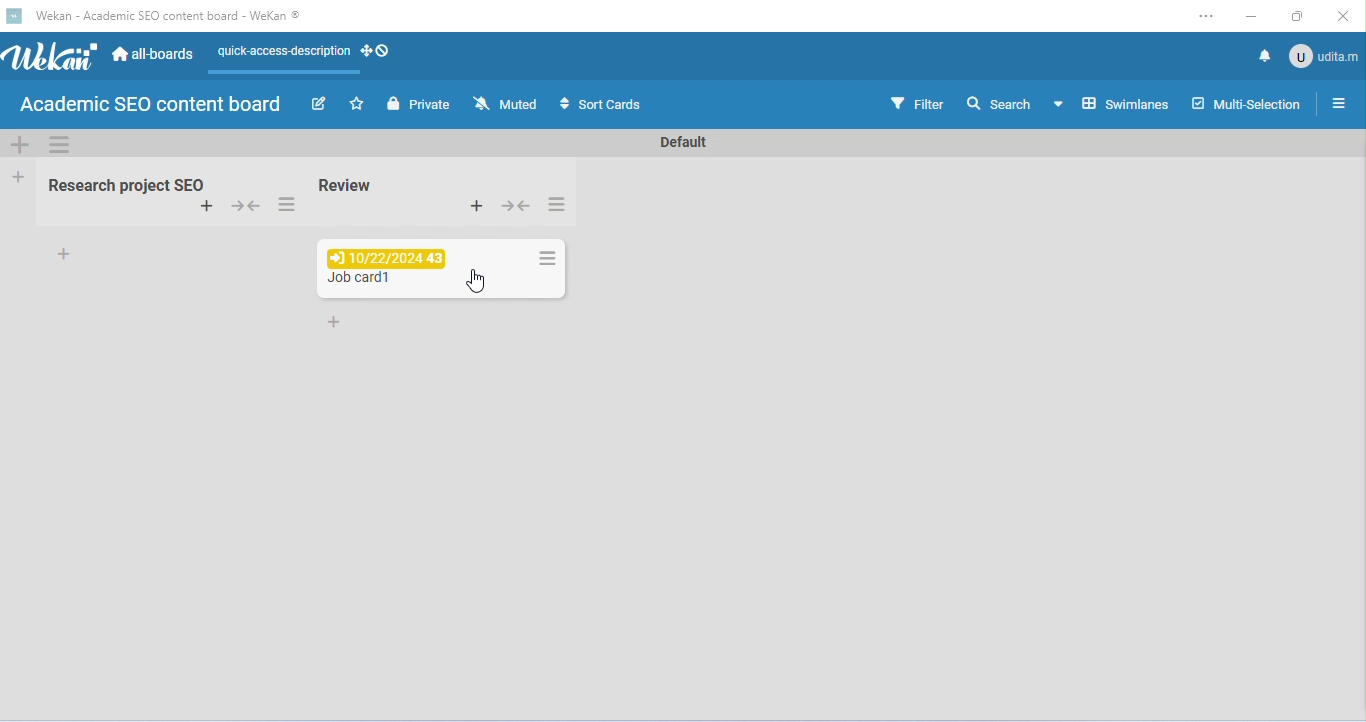  What do you see at coordinates (515, 204) in the screenshot?
I see `Collapse` at bounding box center [515, 204].